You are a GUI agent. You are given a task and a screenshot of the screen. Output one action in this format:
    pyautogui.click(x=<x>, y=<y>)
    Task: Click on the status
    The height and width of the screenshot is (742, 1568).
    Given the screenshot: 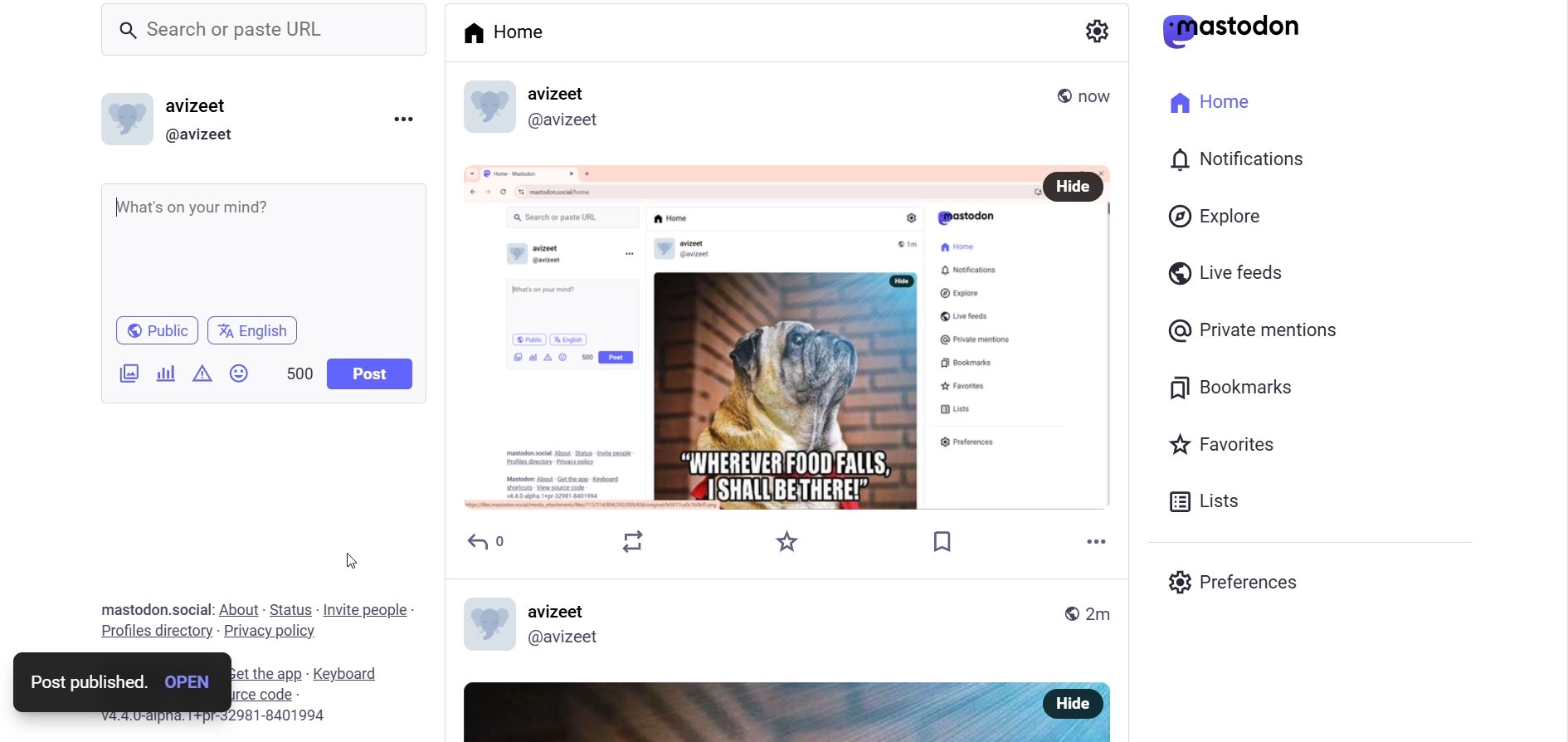 What is the action you would take?
    pyautogui.click(x=289, y=608)
    